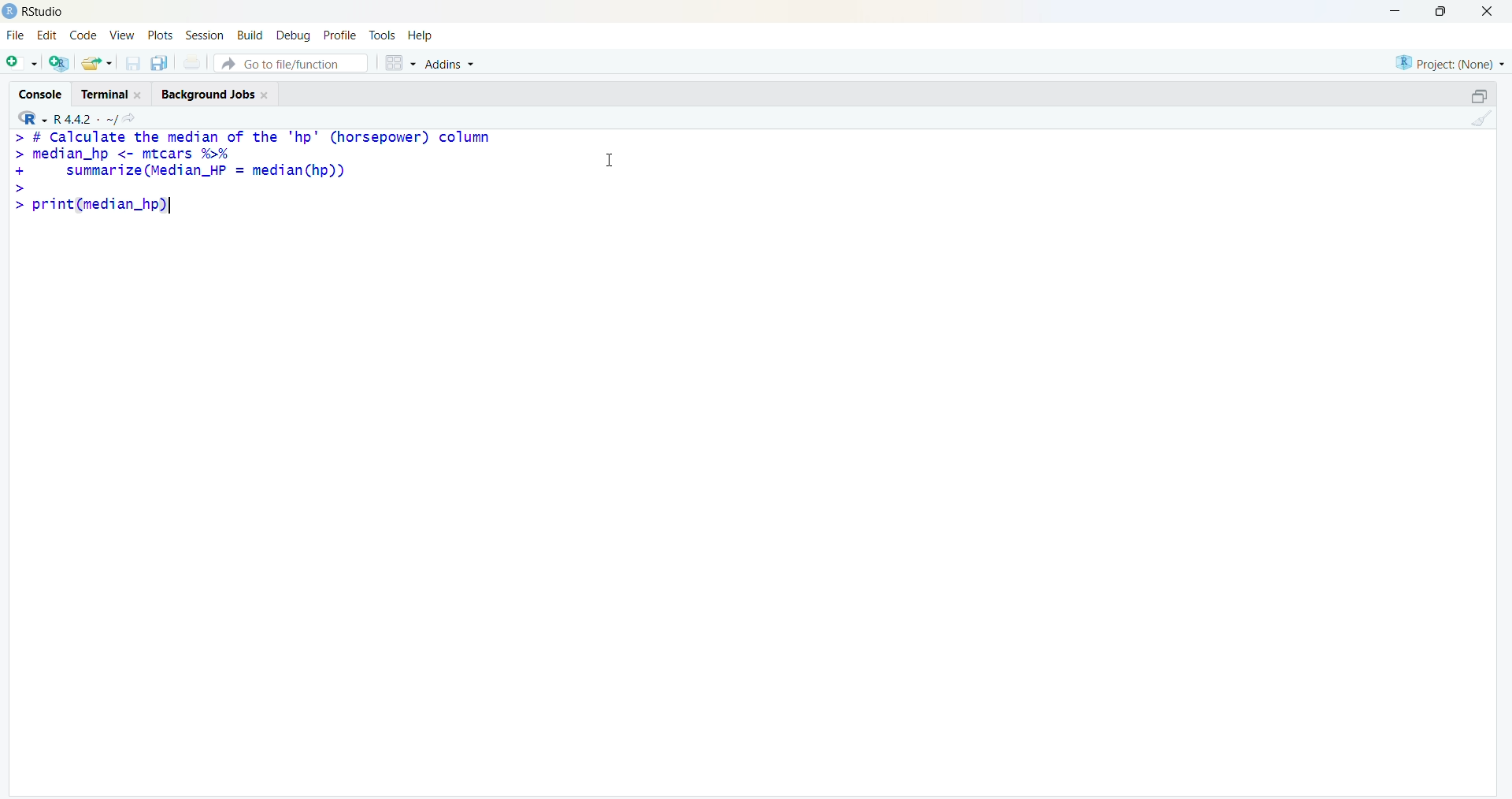 Image resolution: width=1512 pixels, height=799 pixels. What do you see at coordinates (83, 35) in the screenshot?
I see `code` at bounding box center [83, 35].